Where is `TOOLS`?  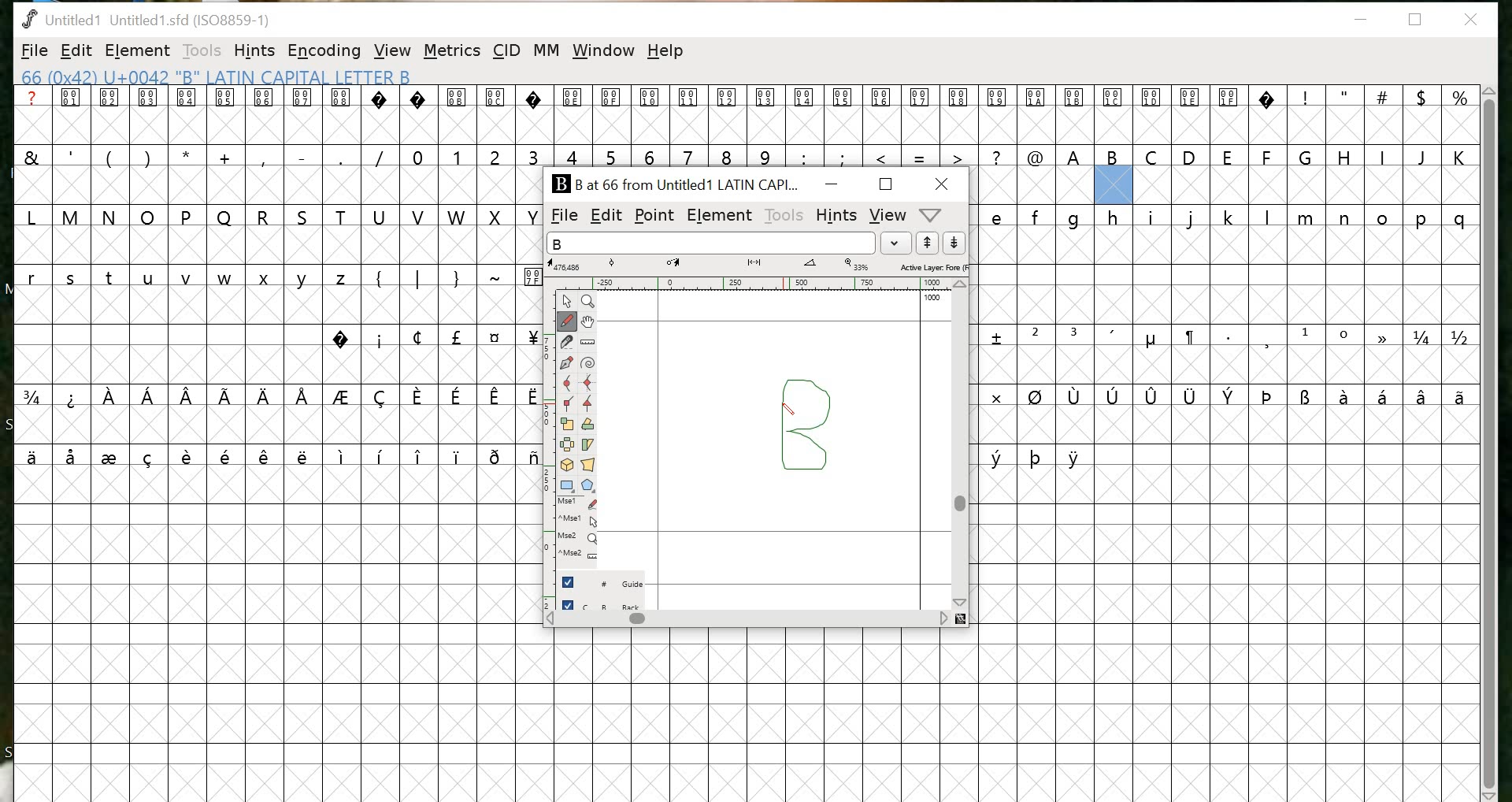
TOOLS is located at coordinates (200, 52).